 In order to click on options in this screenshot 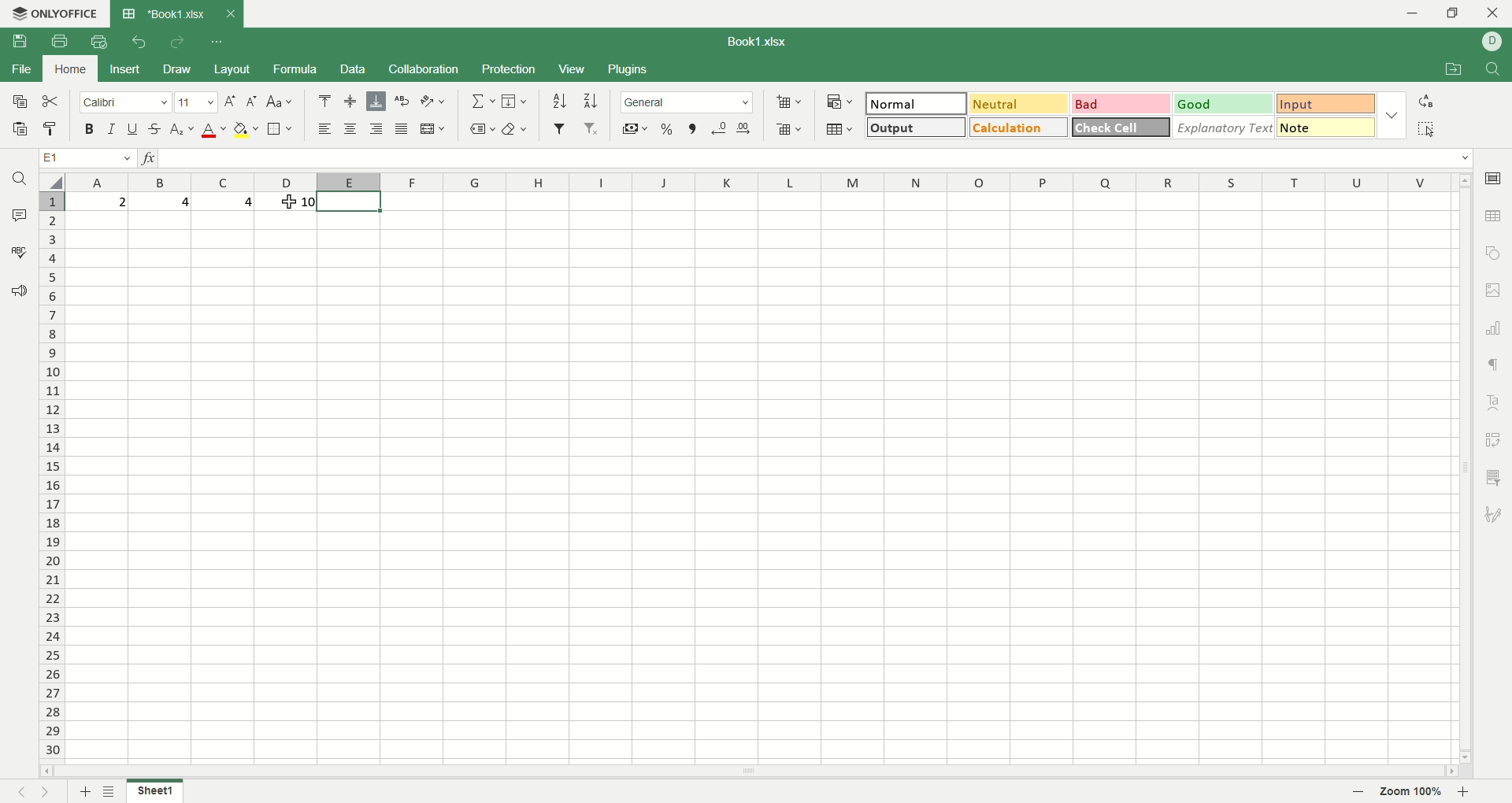, I will do `click(1390, 117)`.